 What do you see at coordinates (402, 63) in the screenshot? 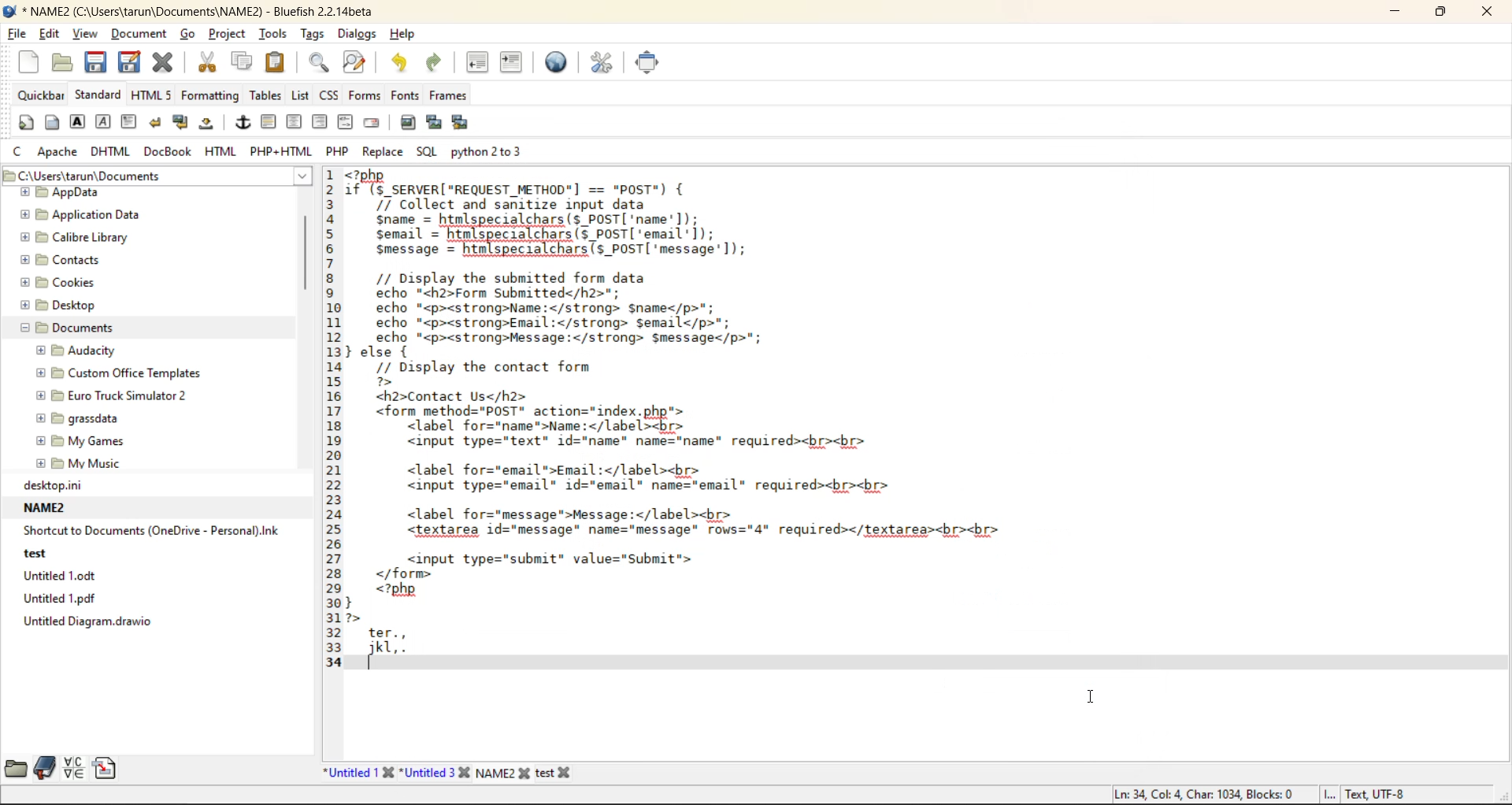
I see `undo` at bounding box center [402, 63].